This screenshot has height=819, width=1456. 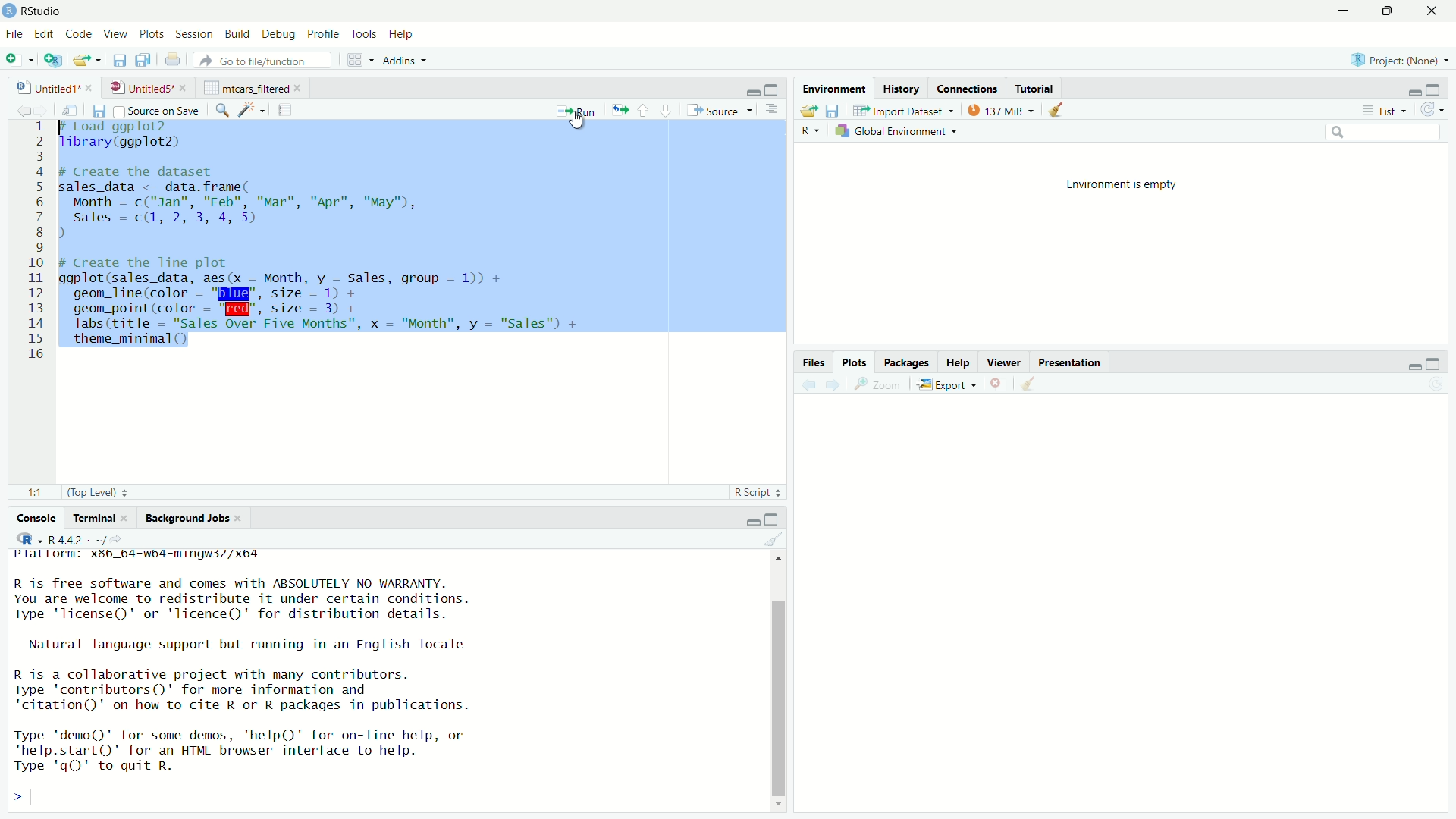 What do you see at coordinates (1056, 109) in the screenshot?
I see `clear all plots` at bounding box center [1056, 109].